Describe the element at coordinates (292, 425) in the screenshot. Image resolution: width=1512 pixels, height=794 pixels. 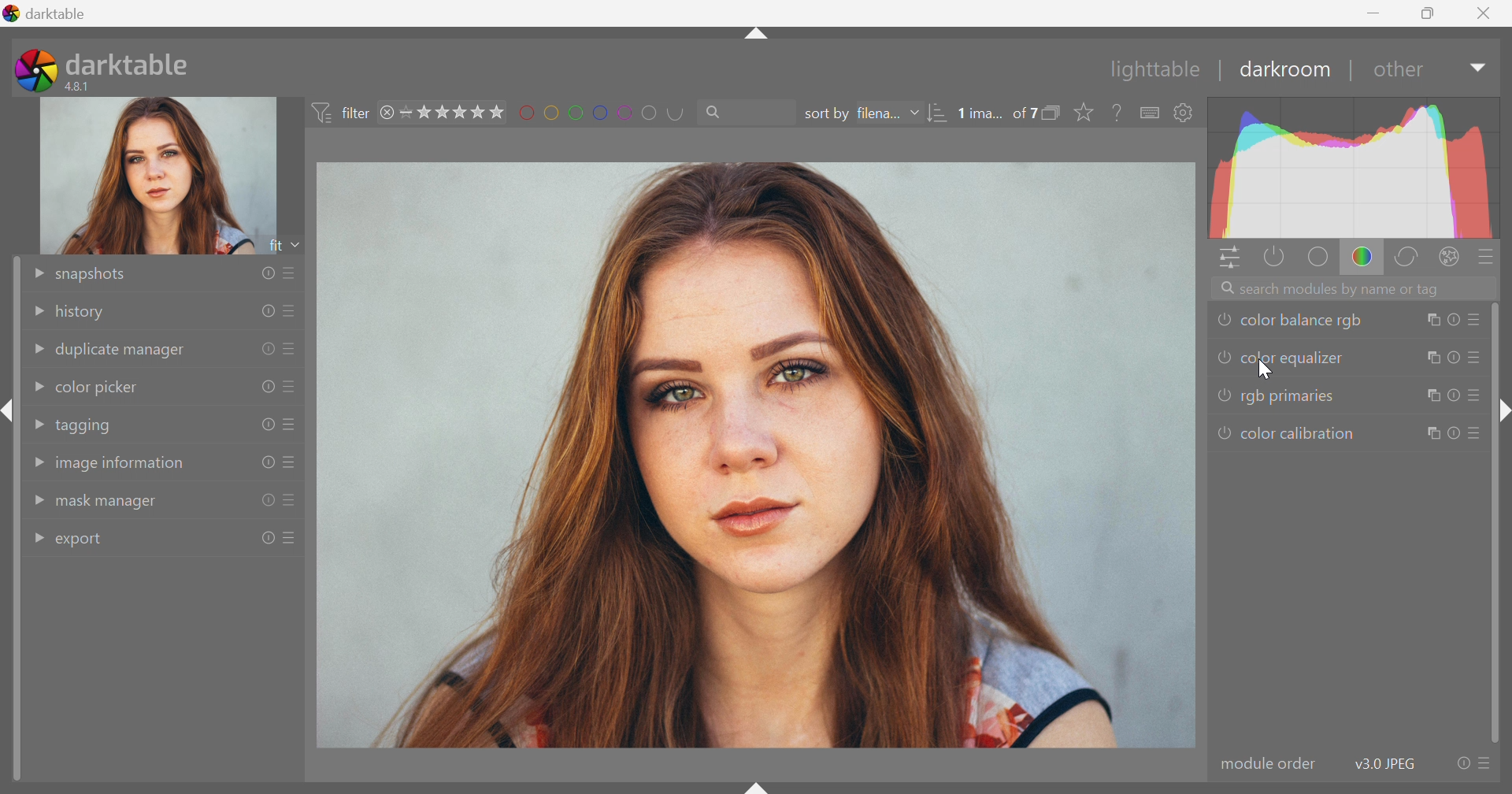
I see `presets` at that location.